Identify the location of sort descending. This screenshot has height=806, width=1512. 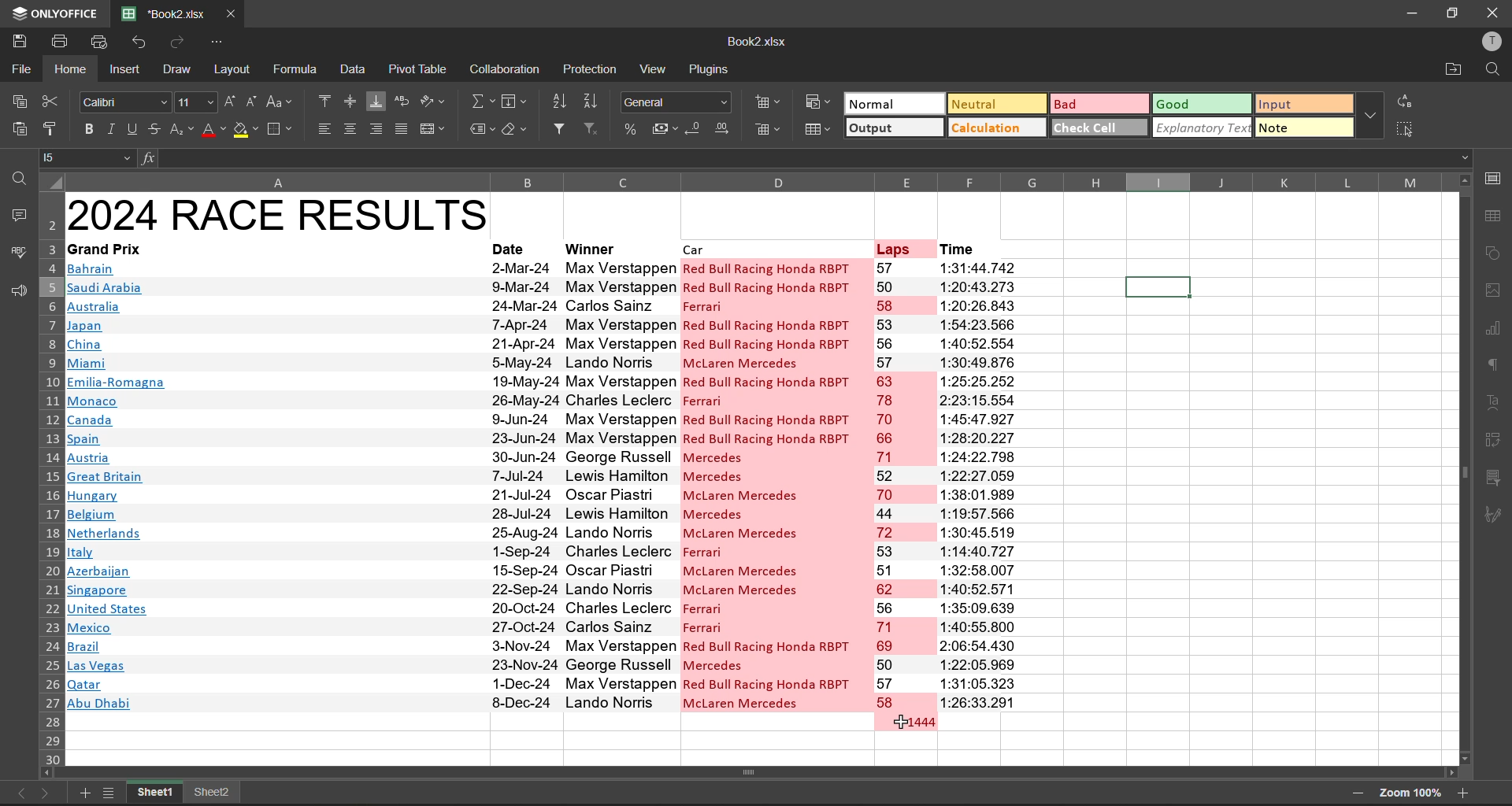
(595, 100).